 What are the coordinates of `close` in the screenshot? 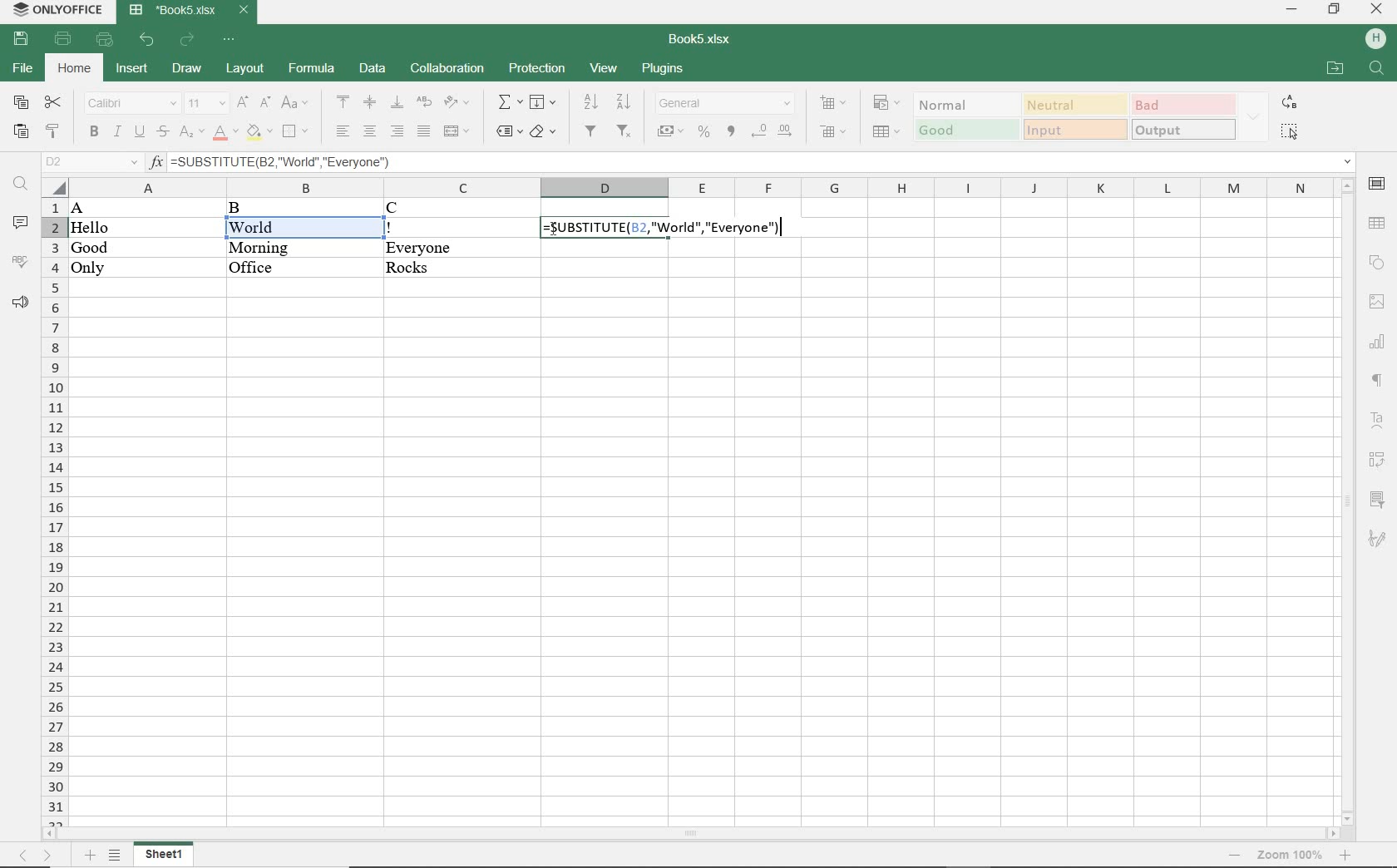 It's located at (1375, 11).